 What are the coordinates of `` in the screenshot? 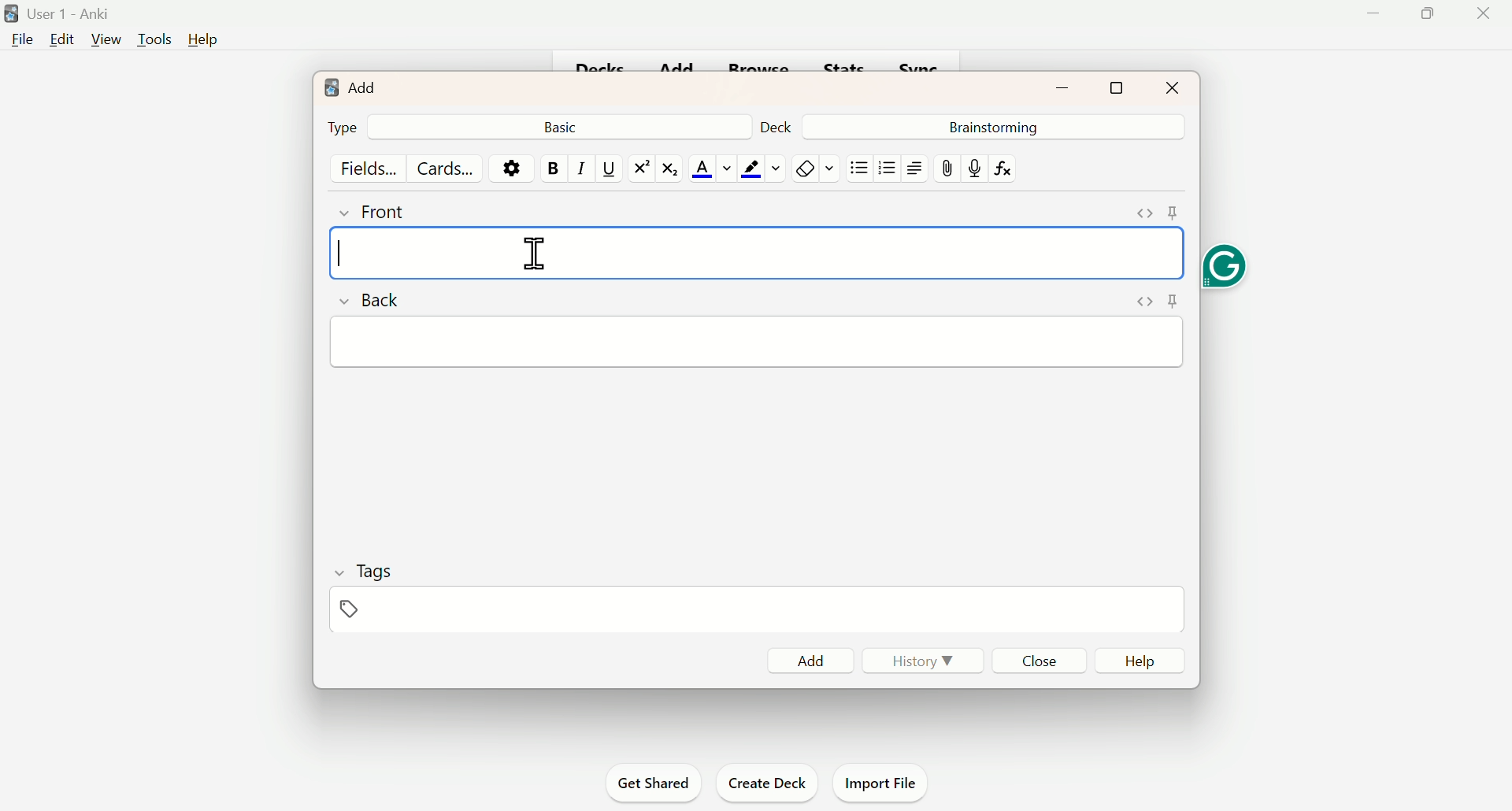 It's located at (207, 39).